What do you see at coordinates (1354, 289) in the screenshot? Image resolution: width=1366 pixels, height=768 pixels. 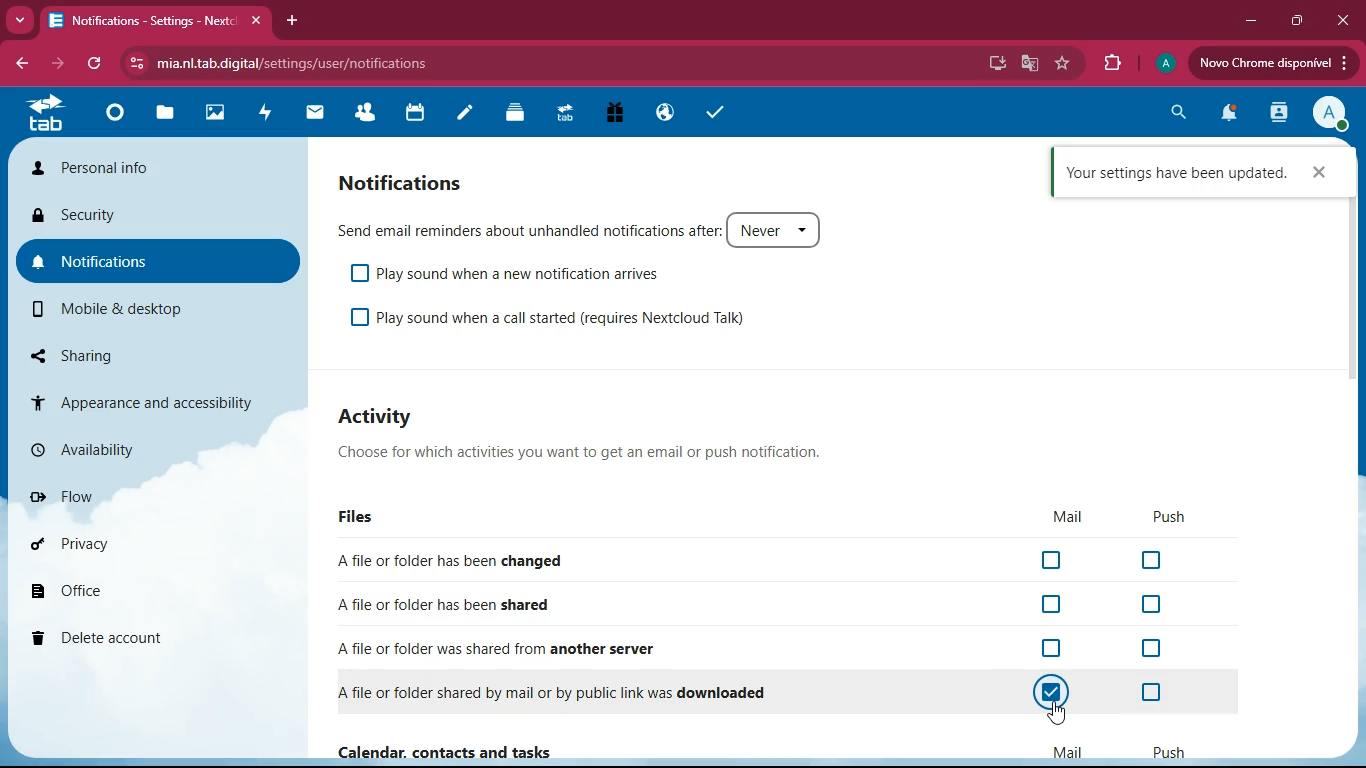 I see `scroll bar` at bounding box center [1354, 289].